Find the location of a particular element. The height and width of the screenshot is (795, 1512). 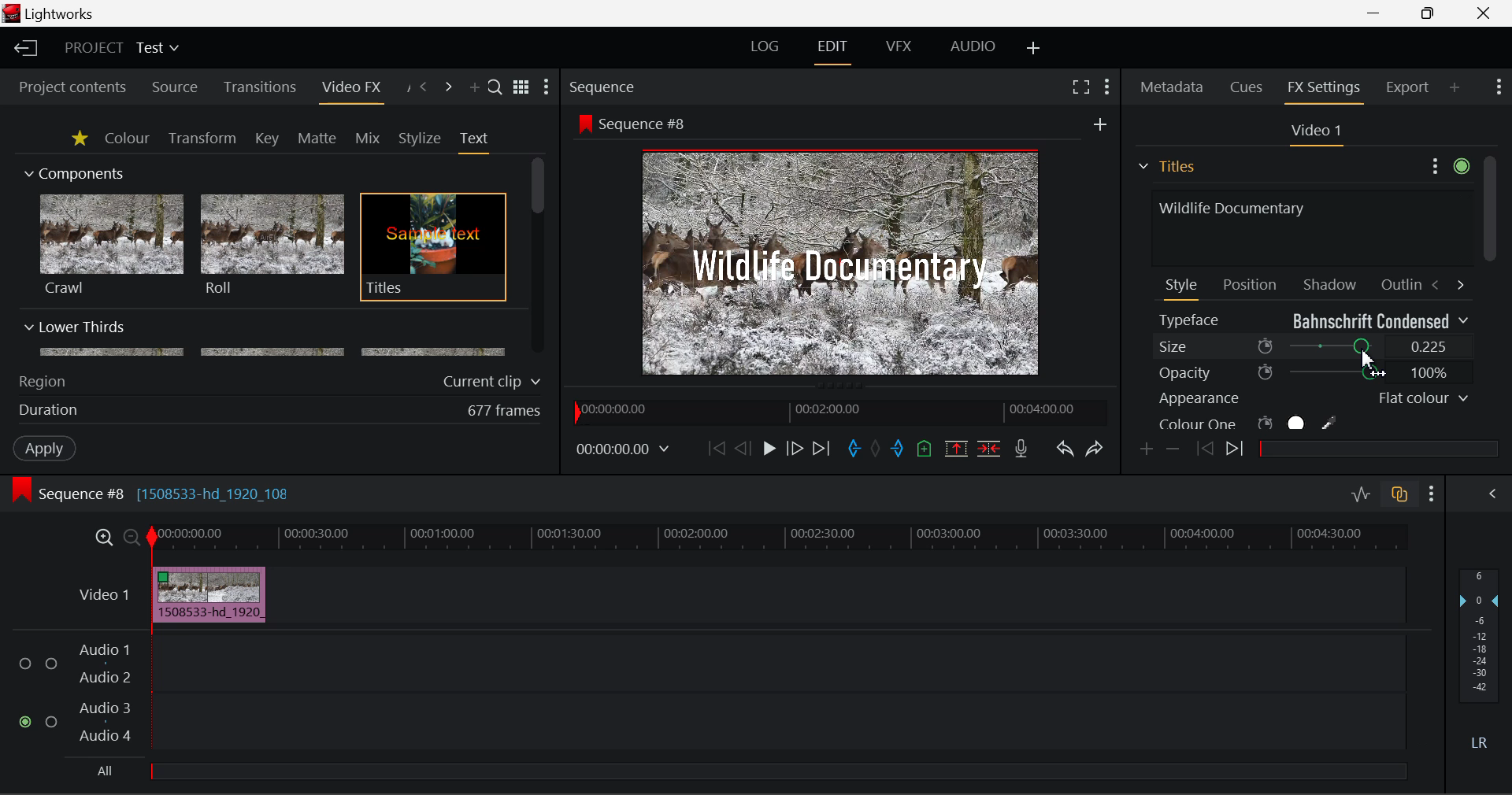

checkbox is located at coordinates (28, 664).